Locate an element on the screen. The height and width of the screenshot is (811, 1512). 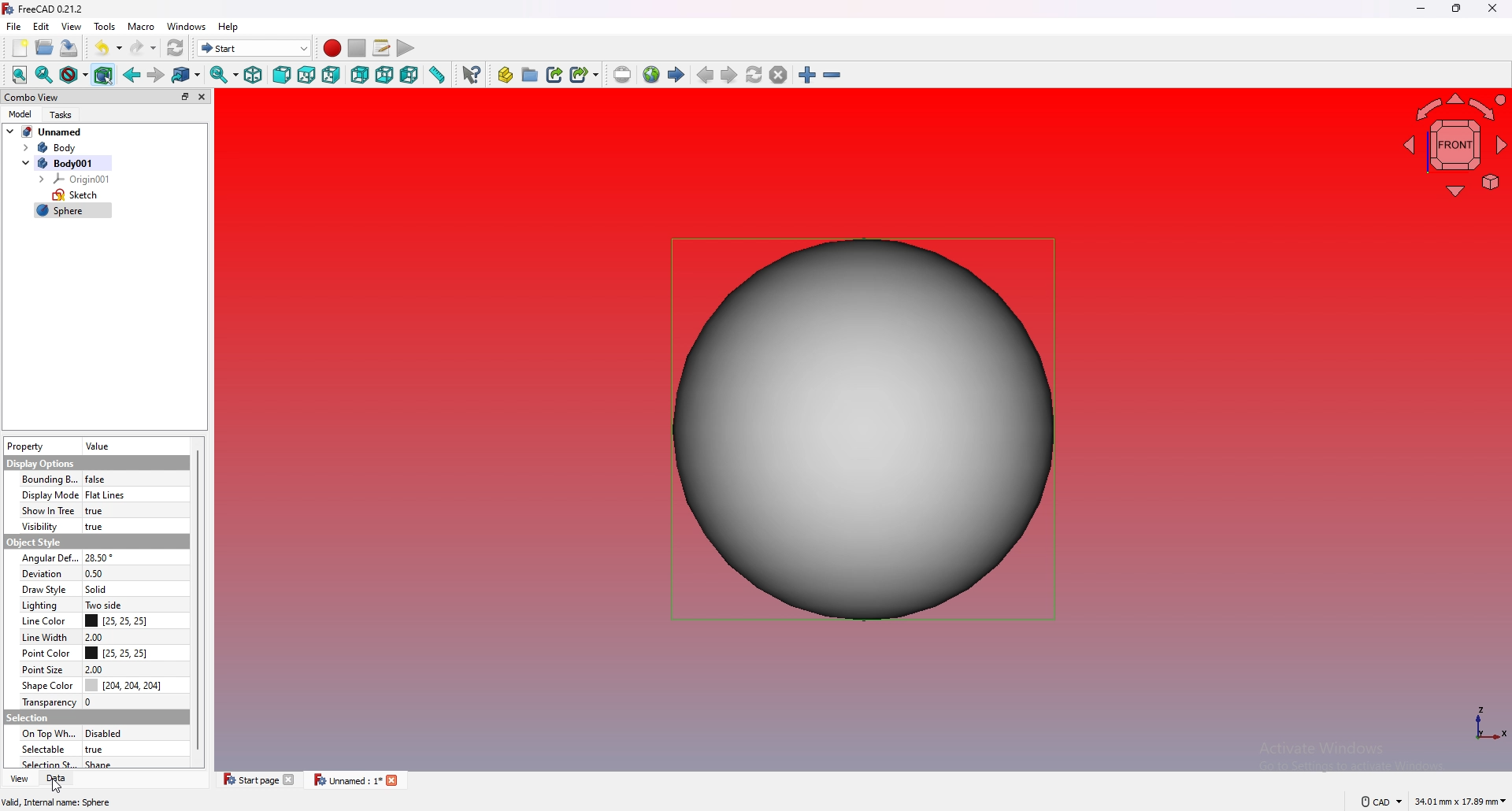
origin001 is located at coordinates (76, 179).